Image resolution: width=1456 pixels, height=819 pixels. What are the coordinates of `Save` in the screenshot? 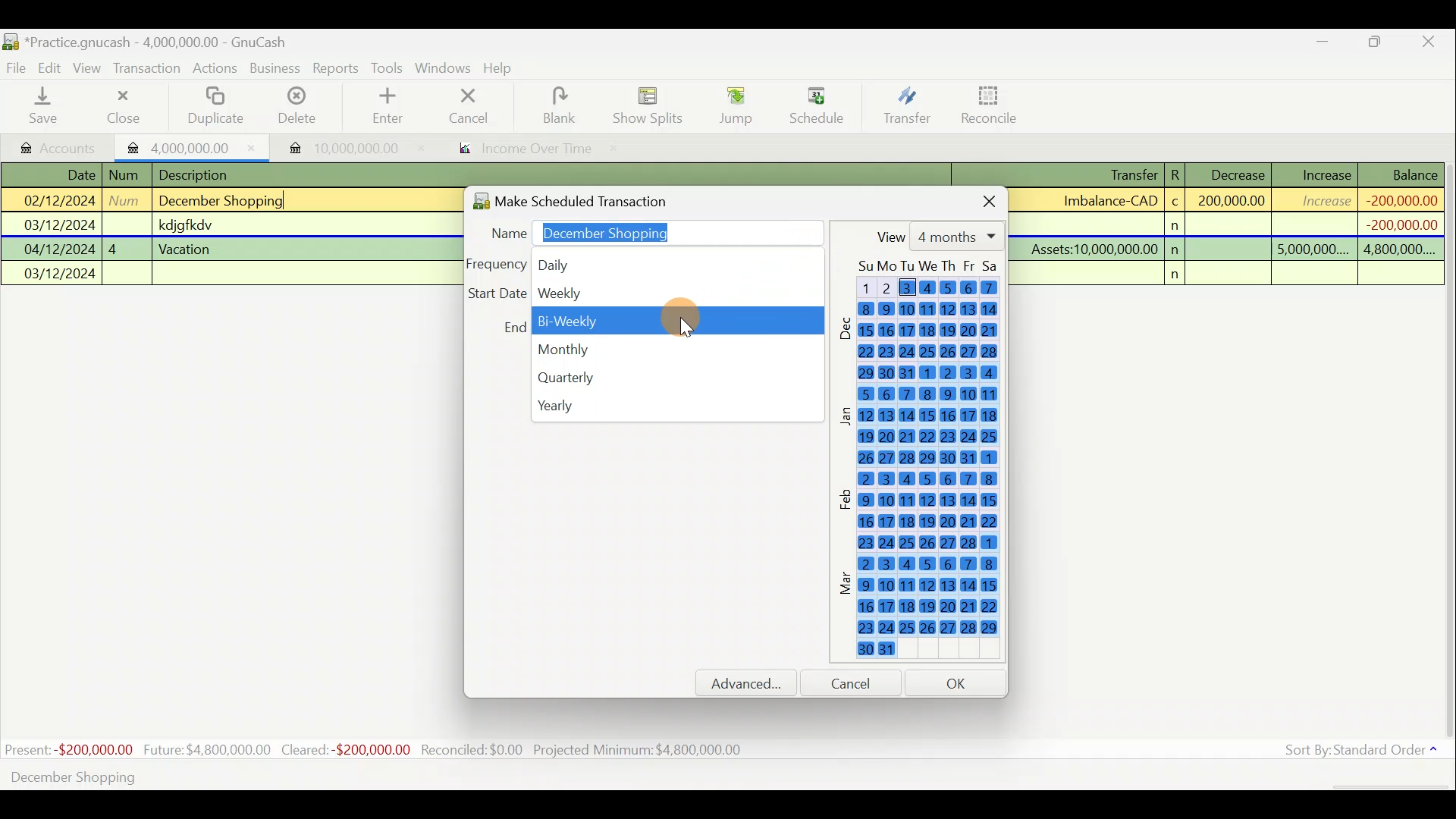 It's located at (46, 105).